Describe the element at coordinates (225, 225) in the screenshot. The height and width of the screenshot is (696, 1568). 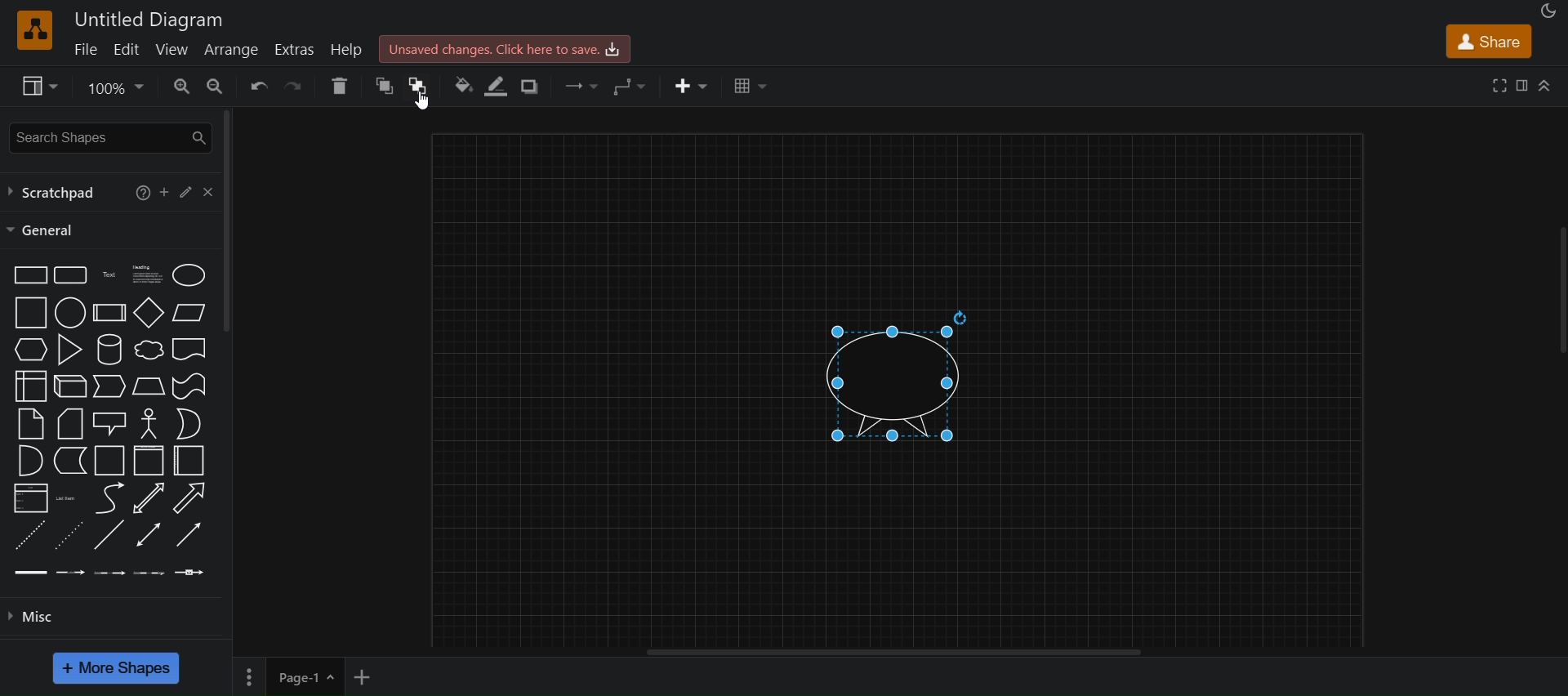
I see `vertical scroll bar` at that location.